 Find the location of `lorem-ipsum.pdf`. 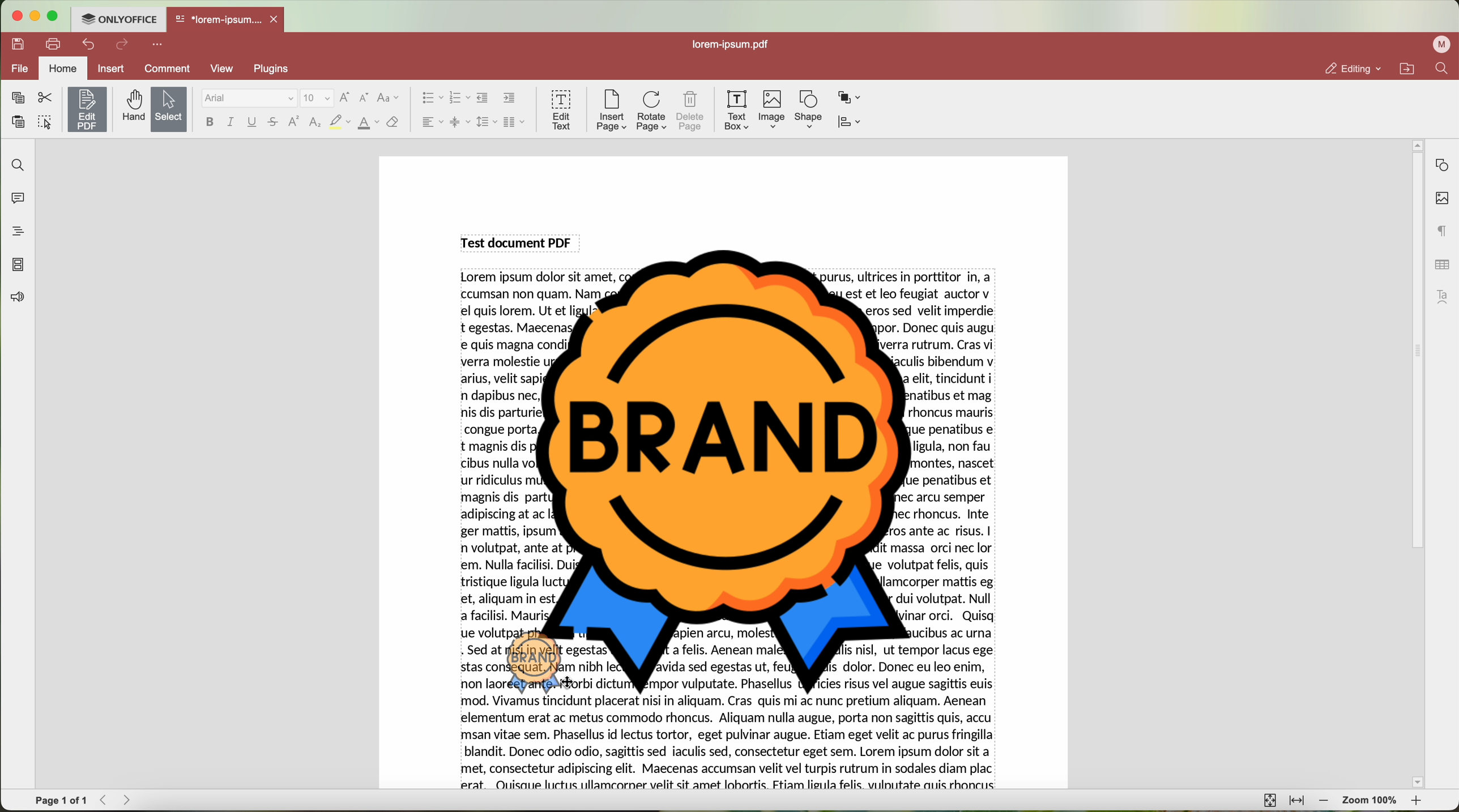

lorem-ipsum.pdf is located at coordinates (735, 44).